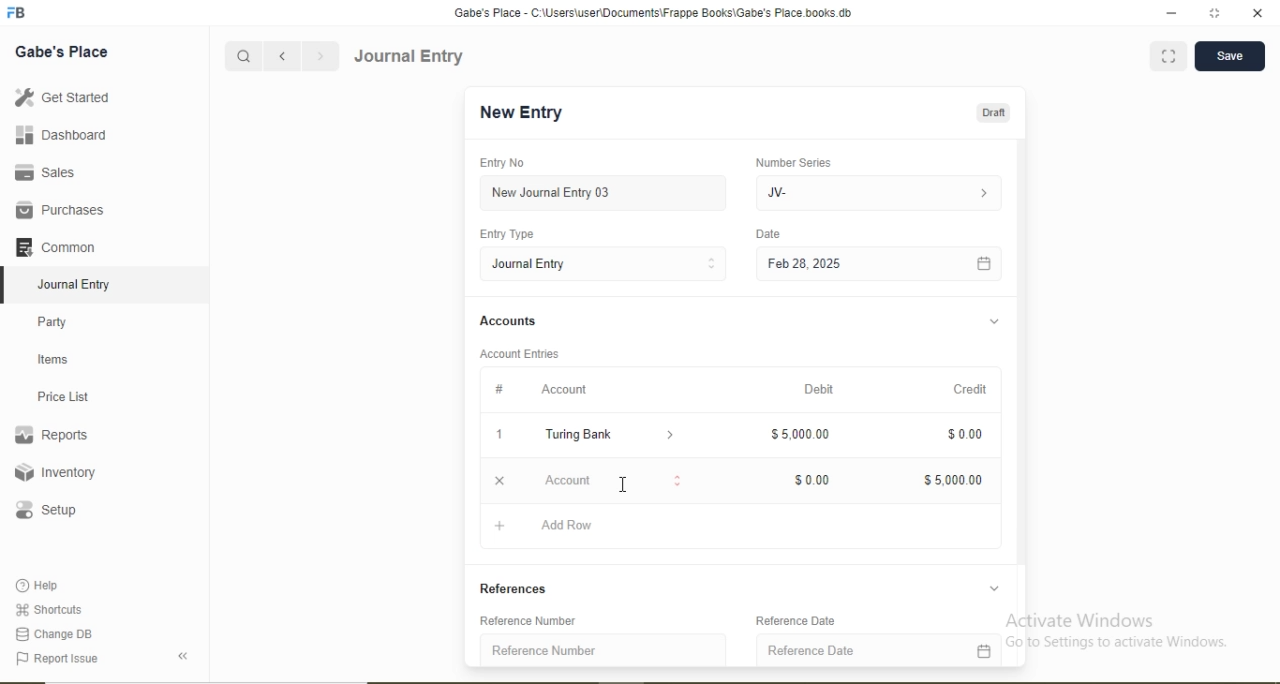 The width and height of the screenshot is (1280, 684). I want to click on Shortcuts, so click(47, 609).